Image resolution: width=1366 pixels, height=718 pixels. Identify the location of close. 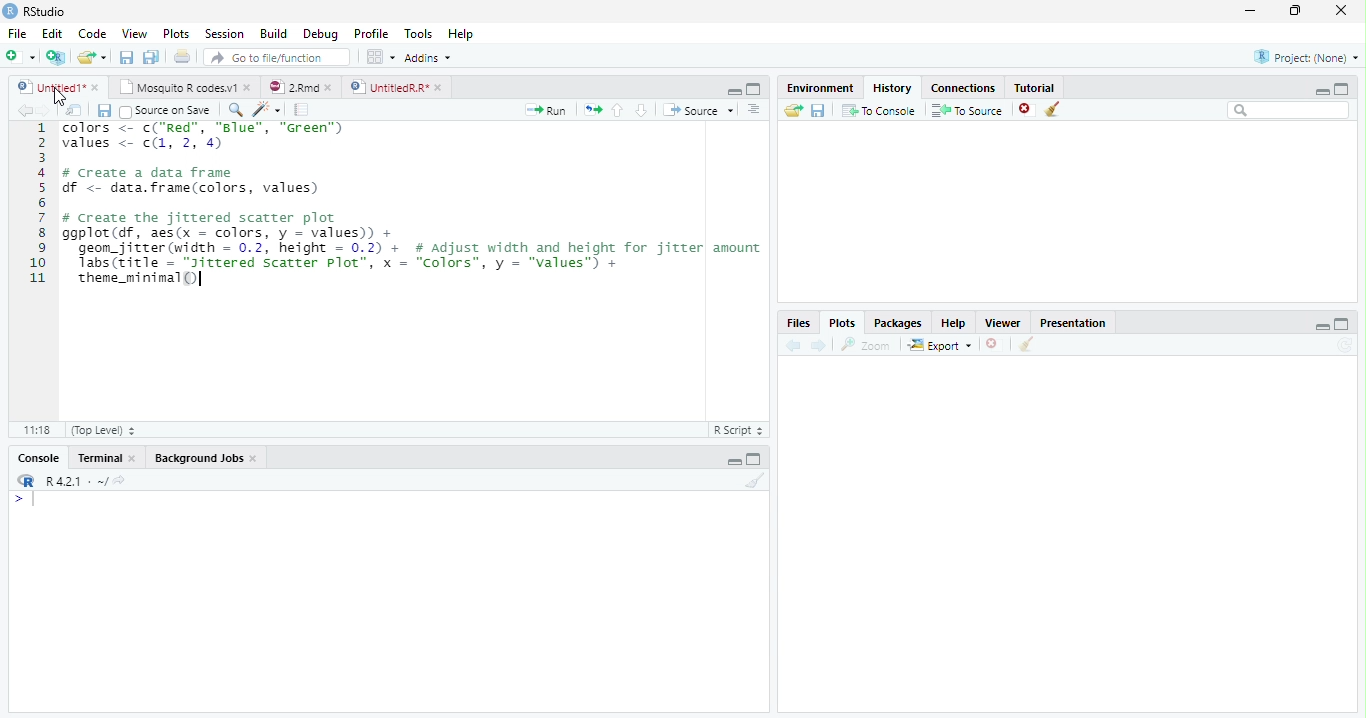
(1341, 10).